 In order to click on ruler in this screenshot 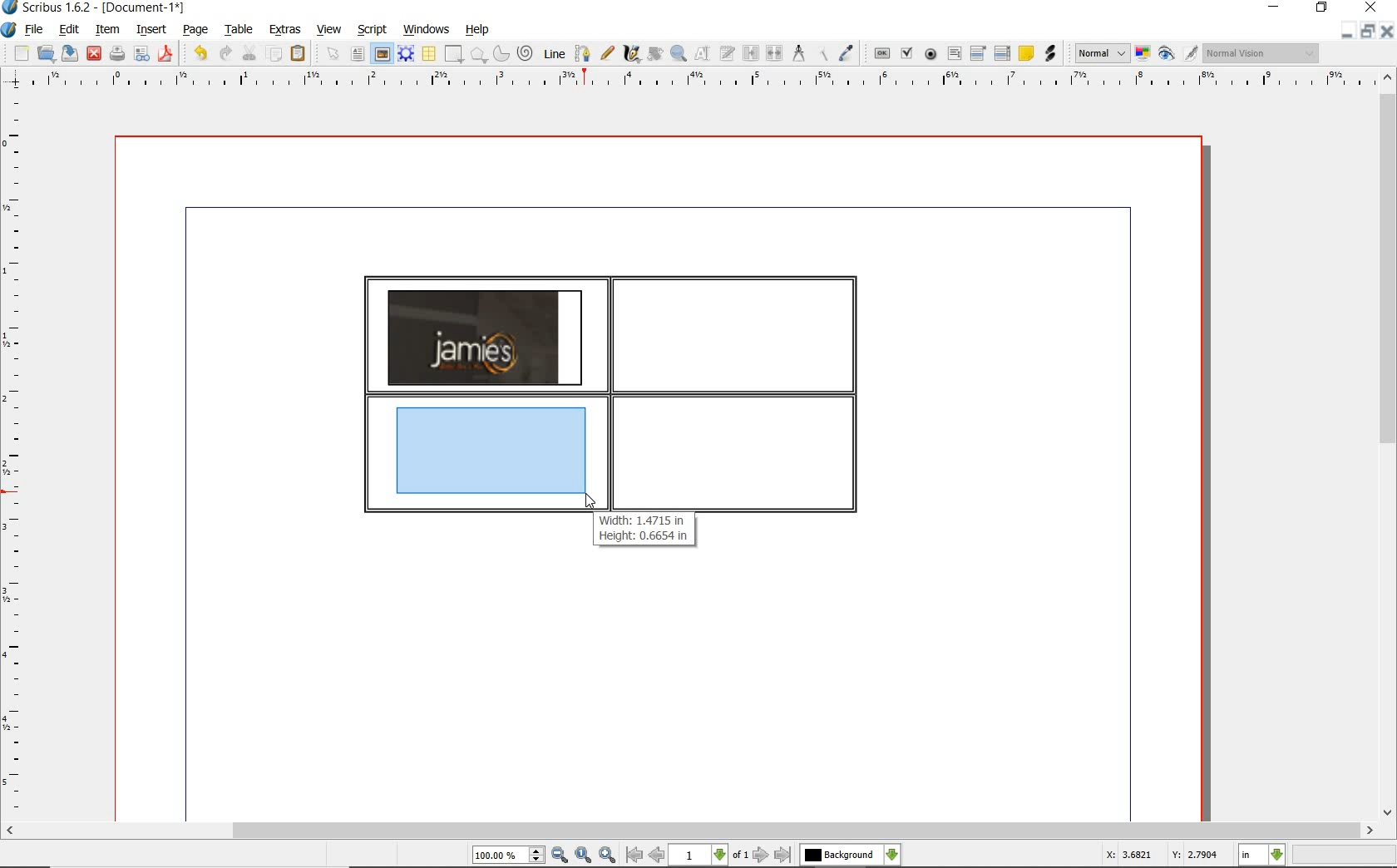, I will do `click(706, 80)`.